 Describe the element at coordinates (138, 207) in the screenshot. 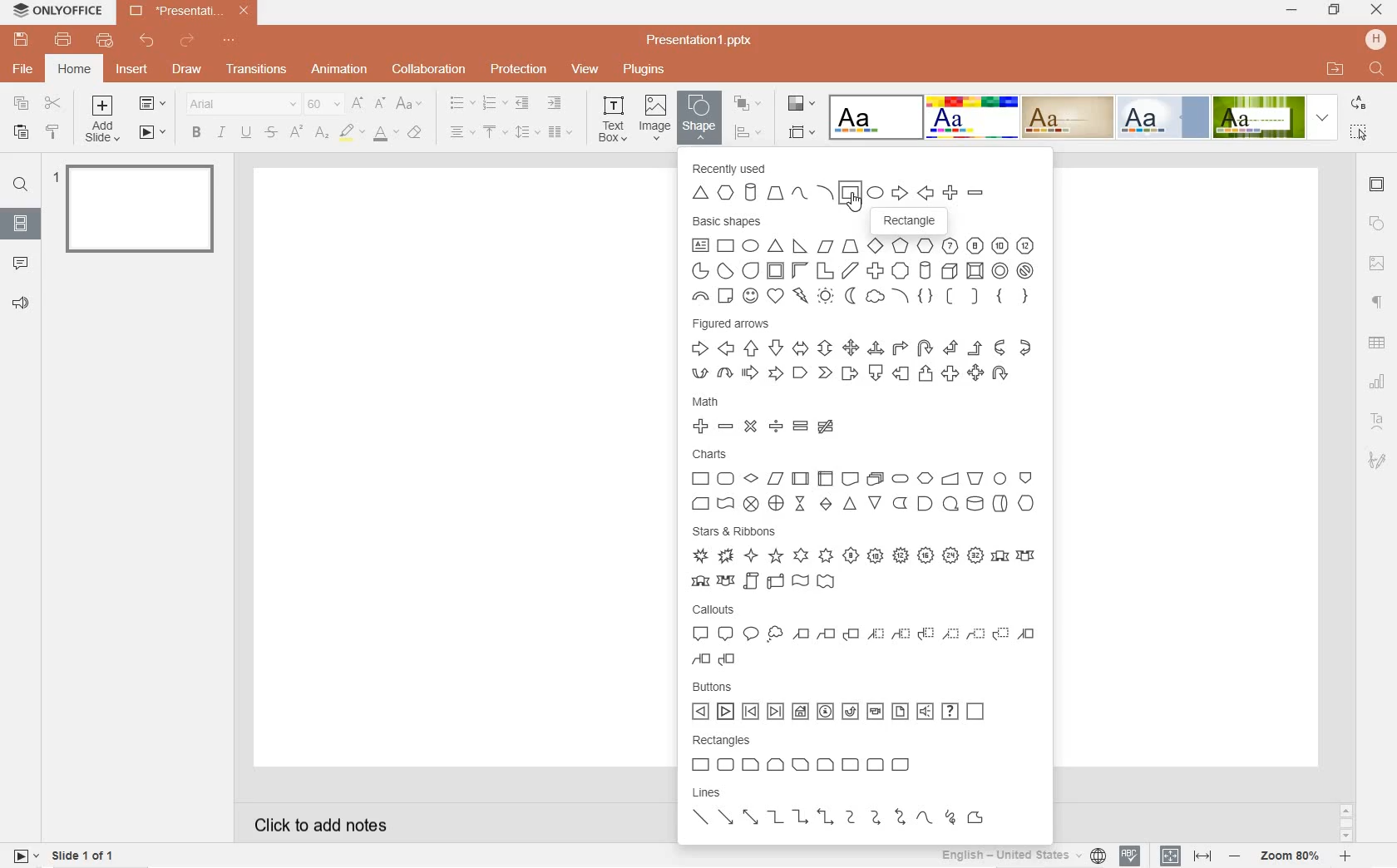

I see `slide 1` at that location.